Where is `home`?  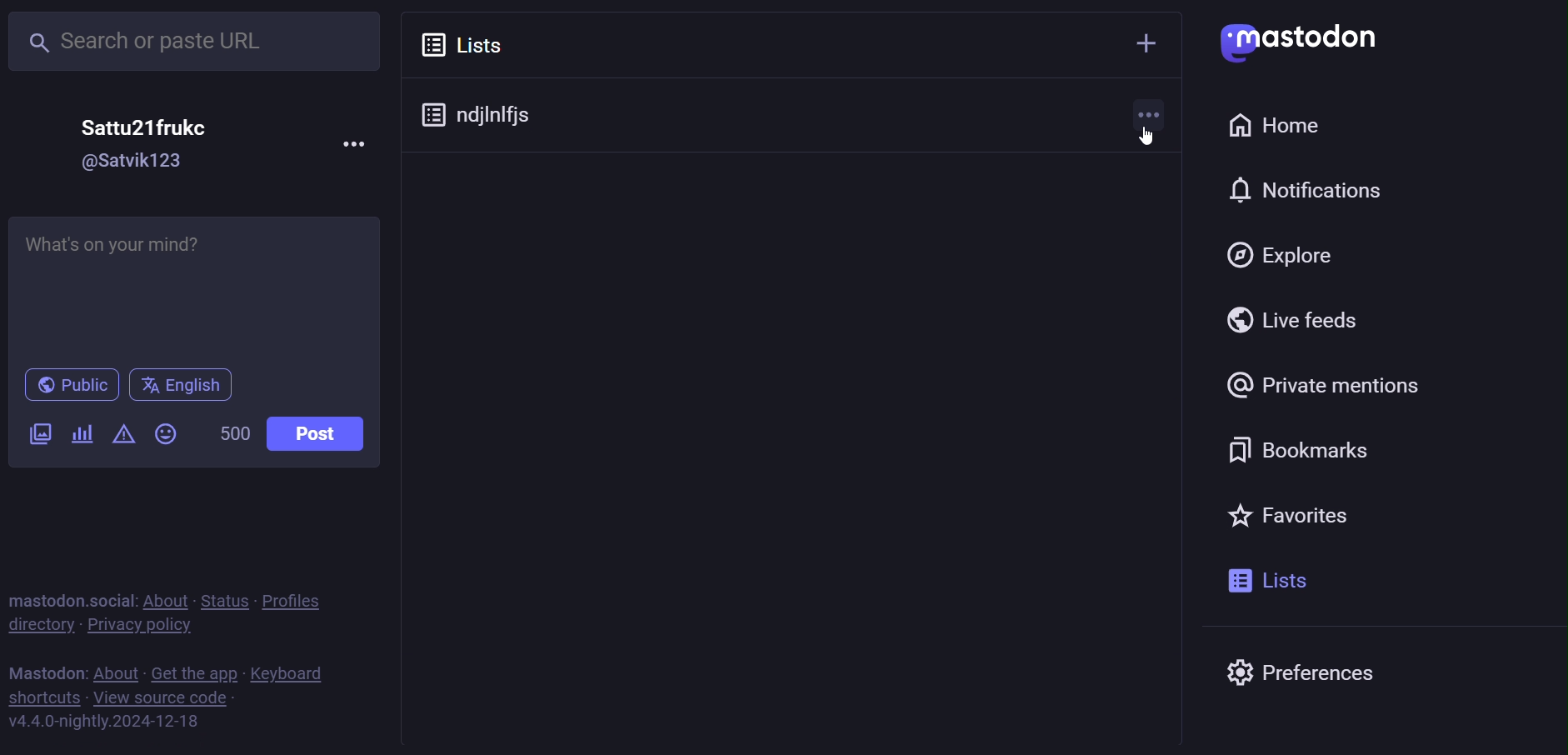
home is located at coordinates (1286, 127).